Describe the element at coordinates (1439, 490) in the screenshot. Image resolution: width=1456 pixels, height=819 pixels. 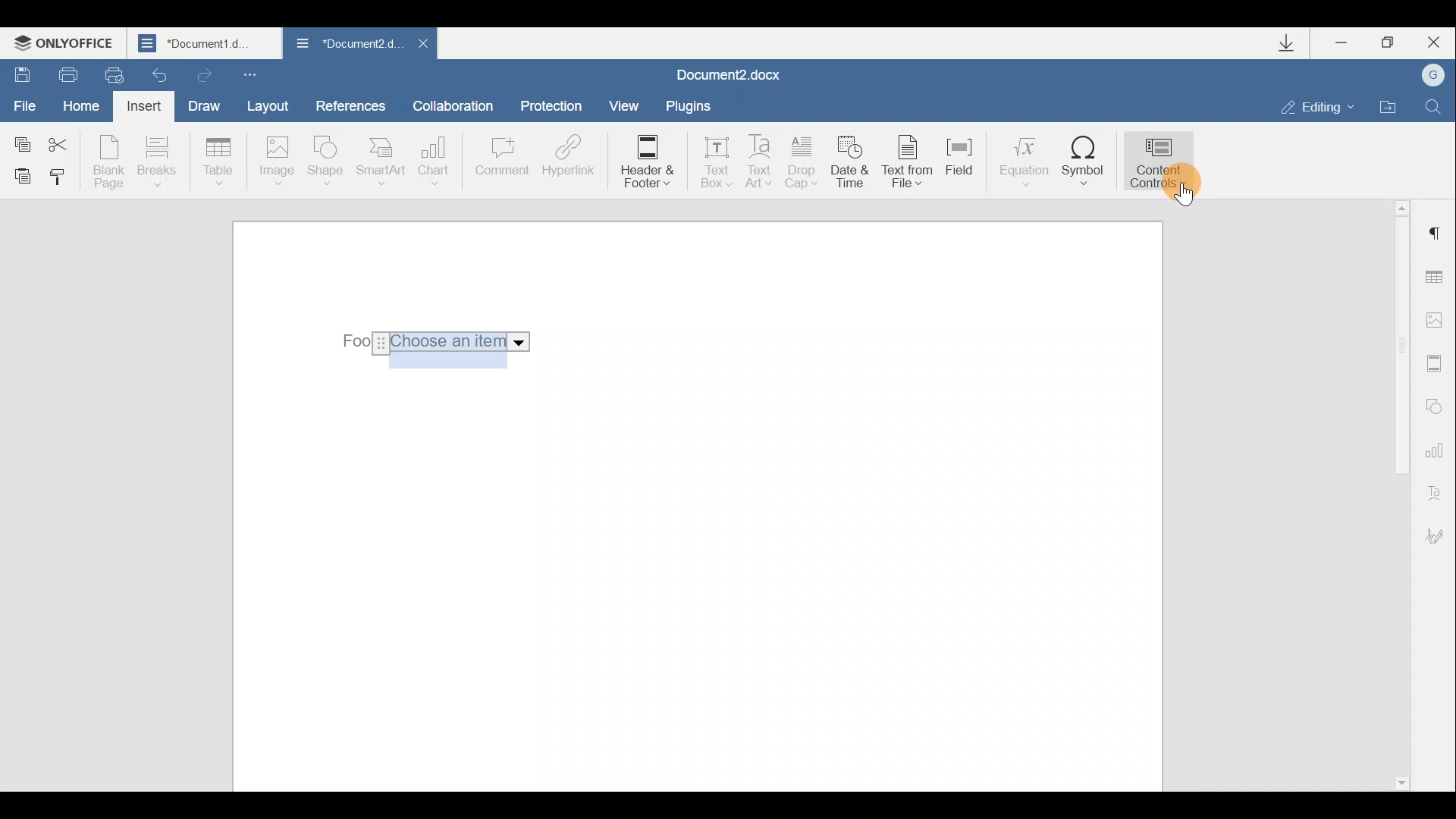
I see `Text Art settings` at that location.